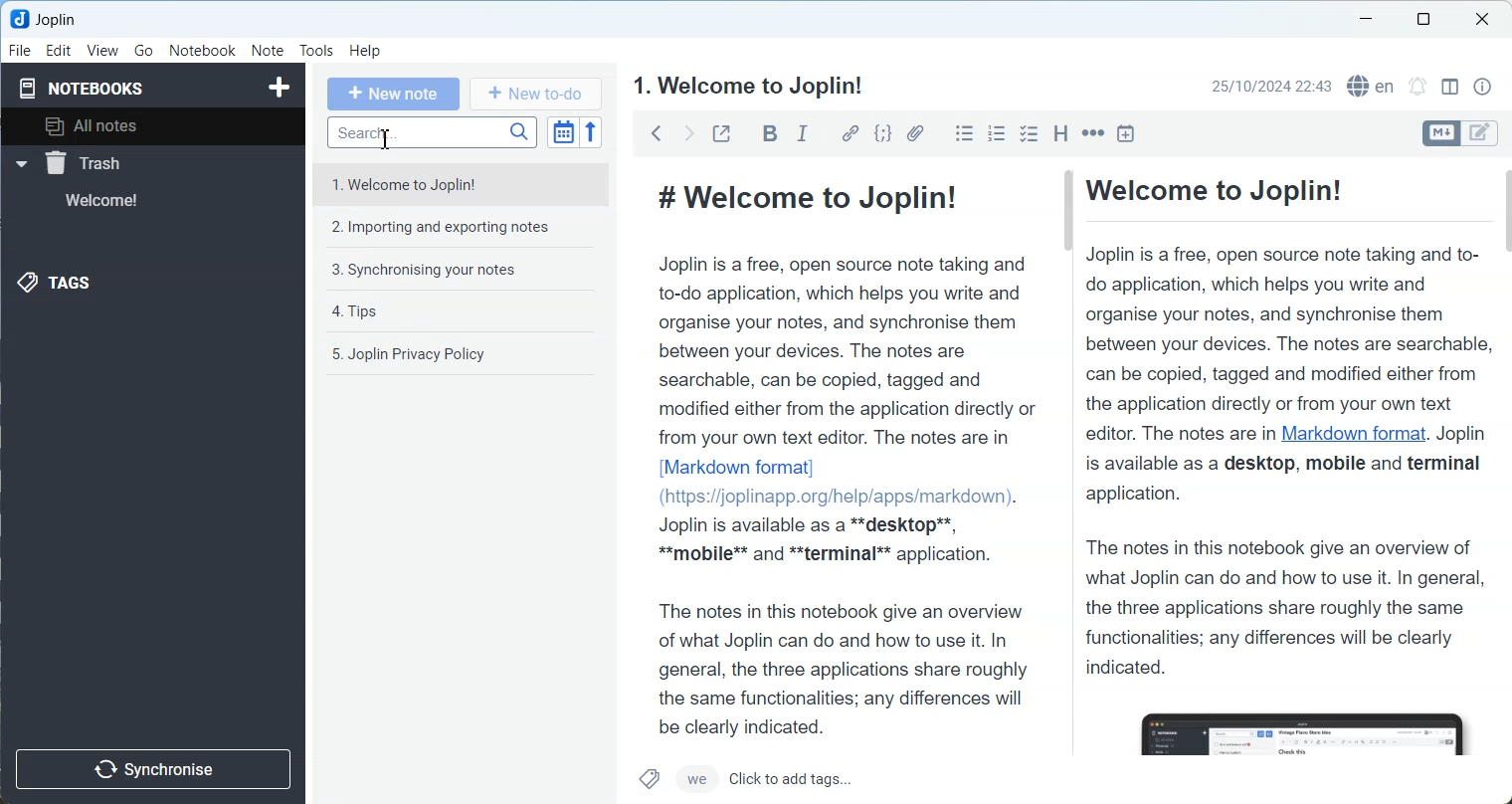 Image resolution: width=1512 pixels, height=804 pixels. What do you see at coordinates (59, 20) in the screenshot?
I see `joplin ` at bounding box center [59, 20].